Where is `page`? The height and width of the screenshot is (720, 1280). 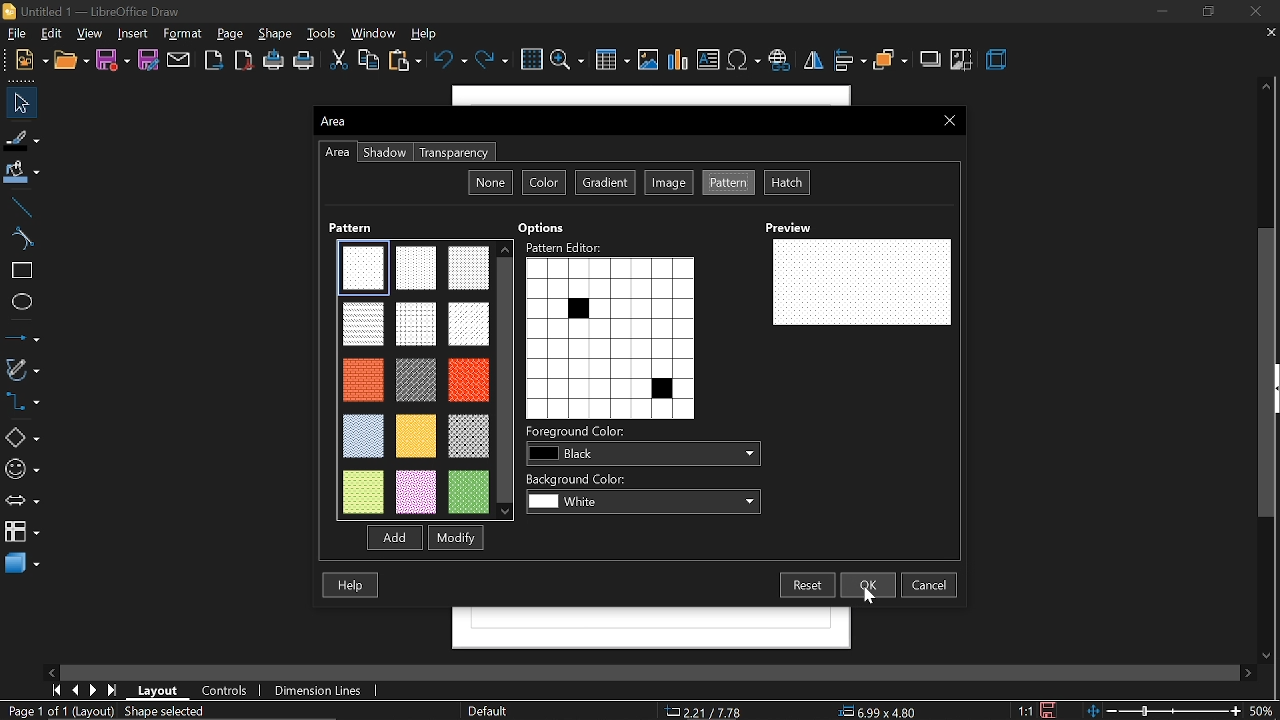
page is located at coordinates (234, 33).